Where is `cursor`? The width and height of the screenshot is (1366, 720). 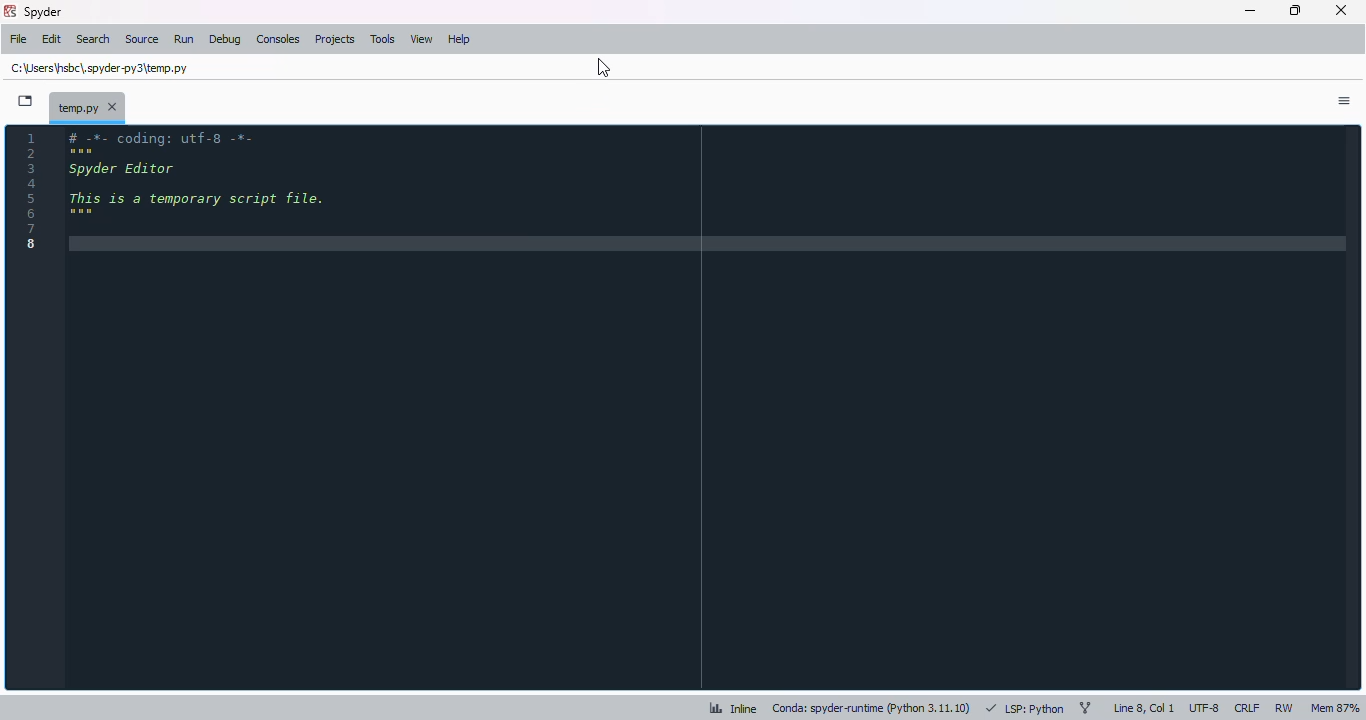
cursor is located at coordinates (600, 67).